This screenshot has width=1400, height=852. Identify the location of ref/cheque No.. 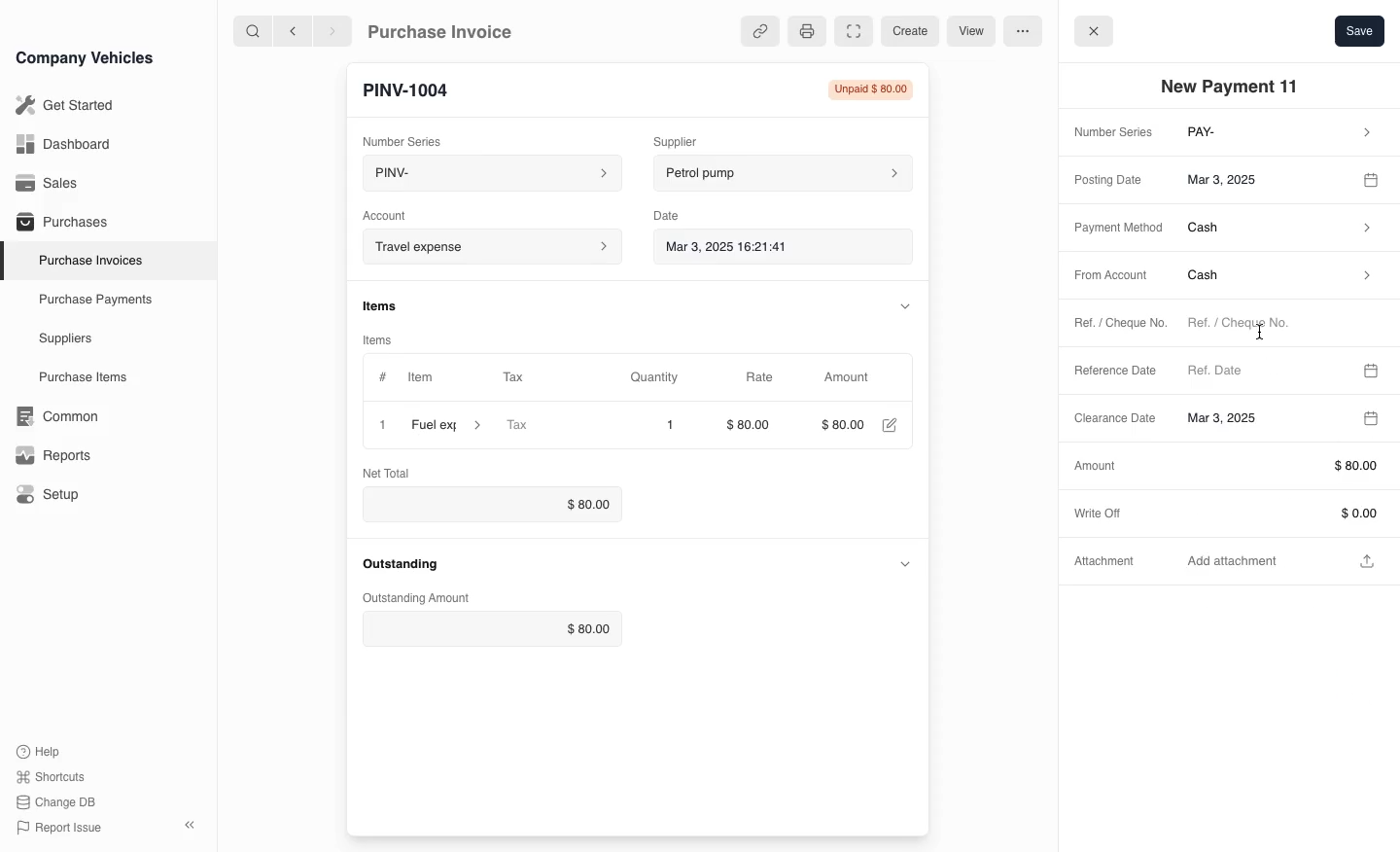
(1277, 325).